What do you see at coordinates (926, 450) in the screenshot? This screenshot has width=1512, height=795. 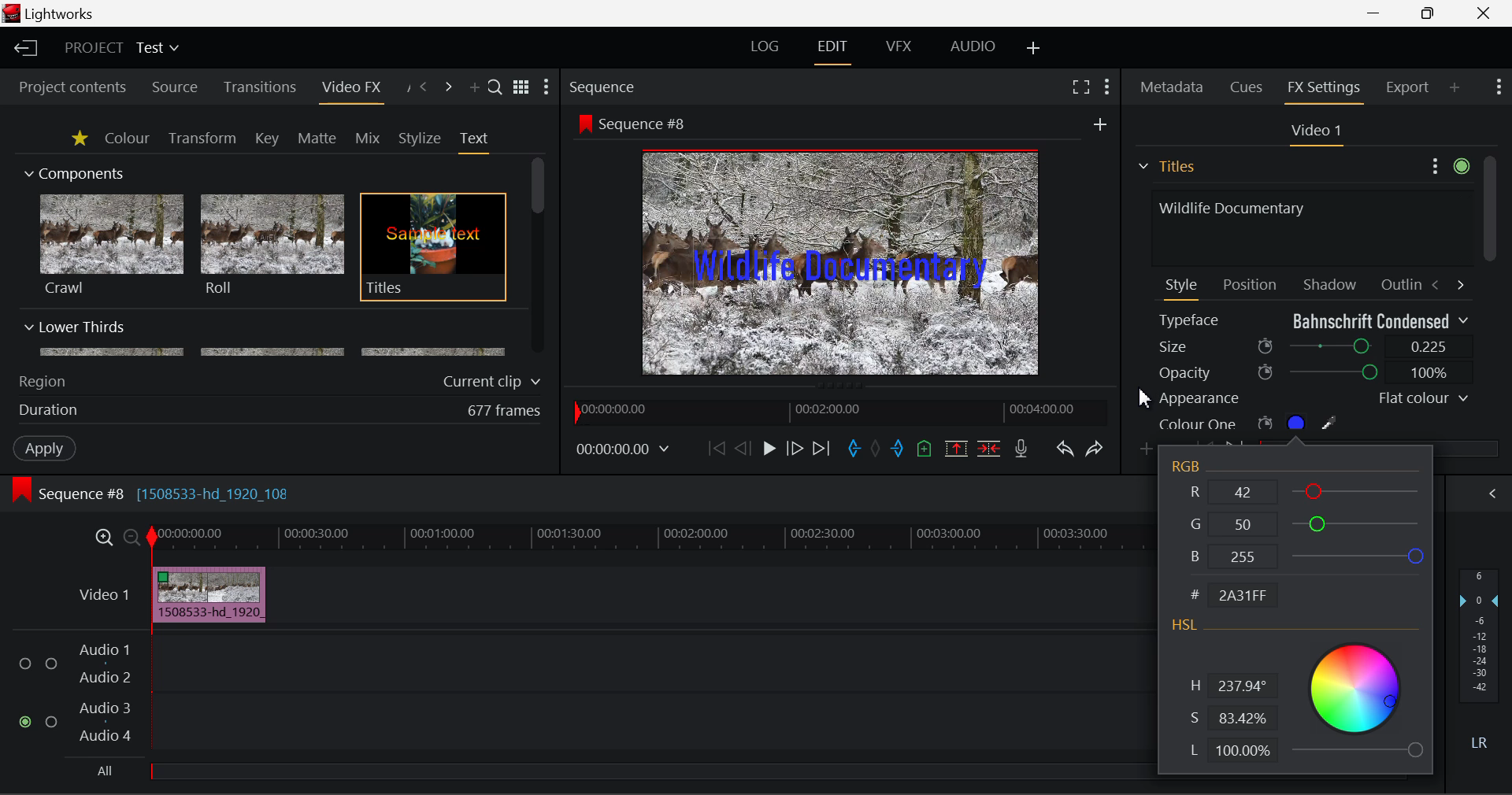 I see `Mark Cue` at bounding box center [926, 450].